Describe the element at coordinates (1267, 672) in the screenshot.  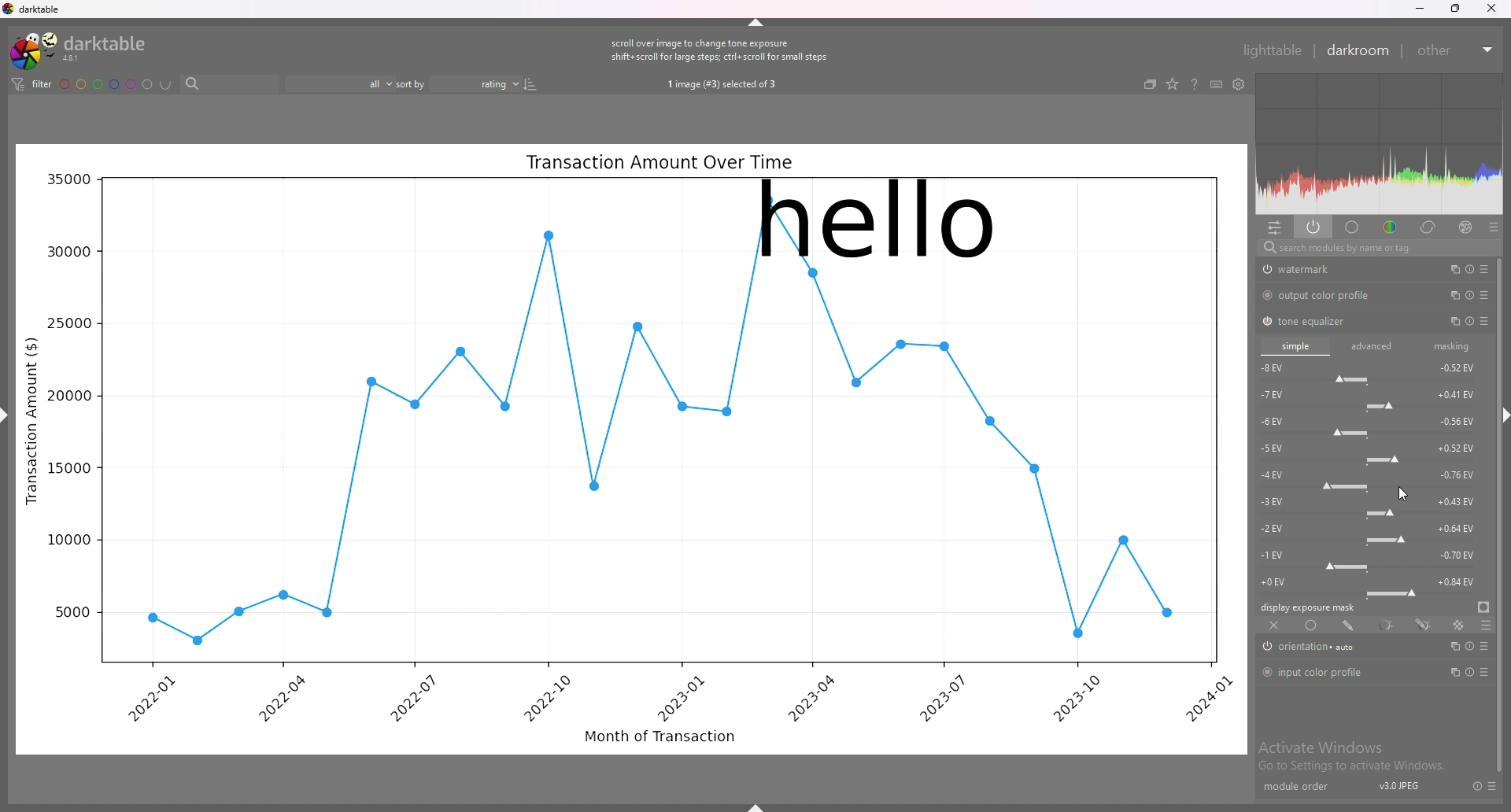
I see `switch off/on` at that location.